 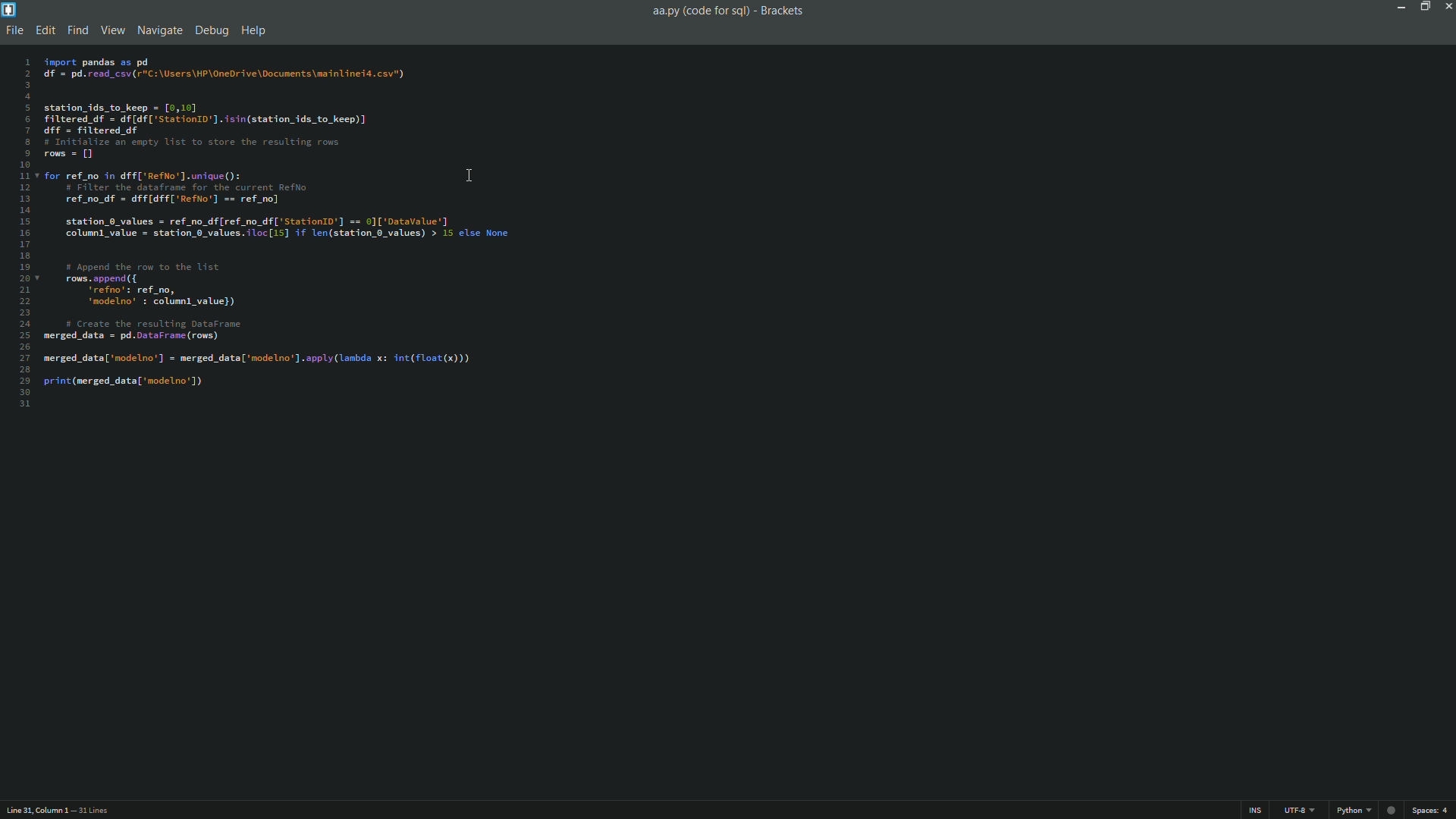 What do you see at coordinates (111, 29) in the screenshot?
I see `view menu` at bounding box center [111, 29].